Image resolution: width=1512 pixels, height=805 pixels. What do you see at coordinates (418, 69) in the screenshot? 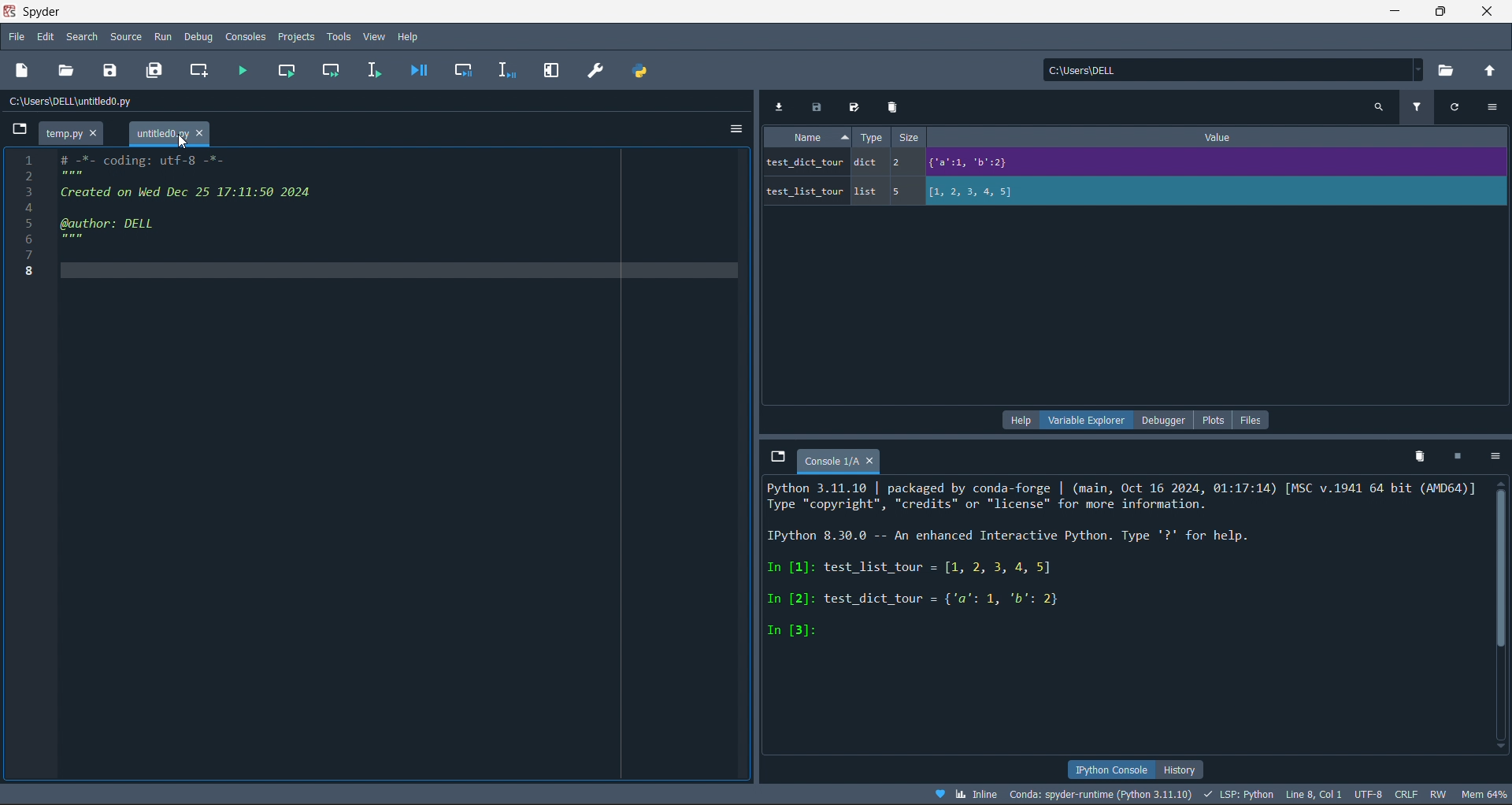
I see `debug file` at bounding box center [418, 69].